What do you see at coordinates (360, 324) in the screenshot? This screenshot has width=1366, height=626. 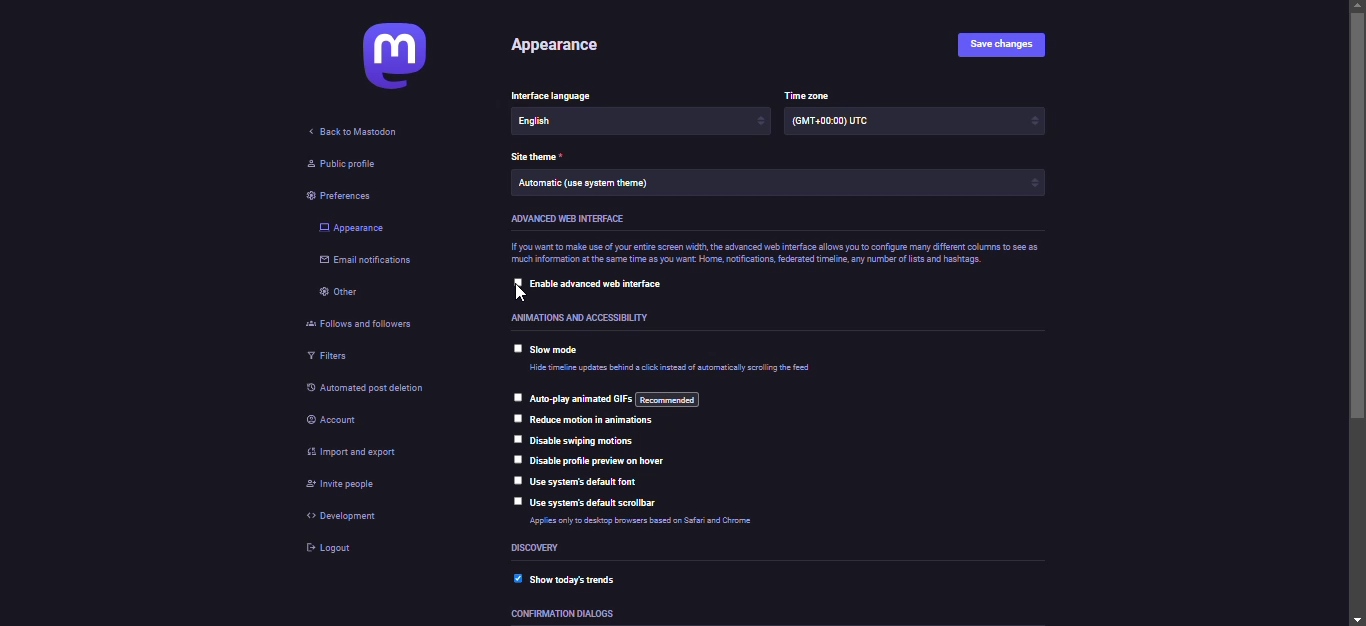 I see `follows and followers` at bounding box center [360, 324].